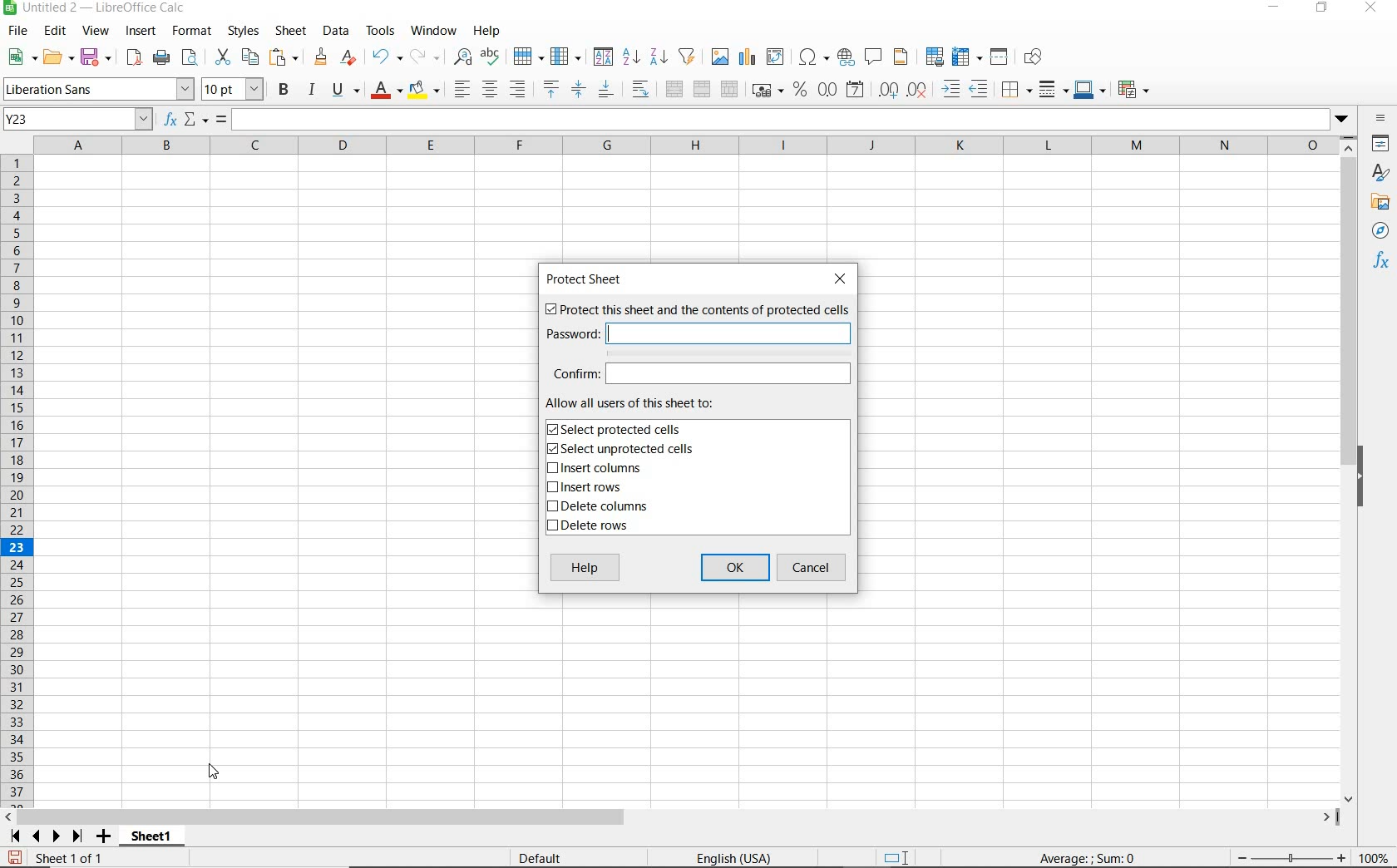 The width and height of the screenshot is (1397, 868). What do you see at coordinates (56, 57) in the screenshot?
I see `OPEN` at bounding box center [56, 57].